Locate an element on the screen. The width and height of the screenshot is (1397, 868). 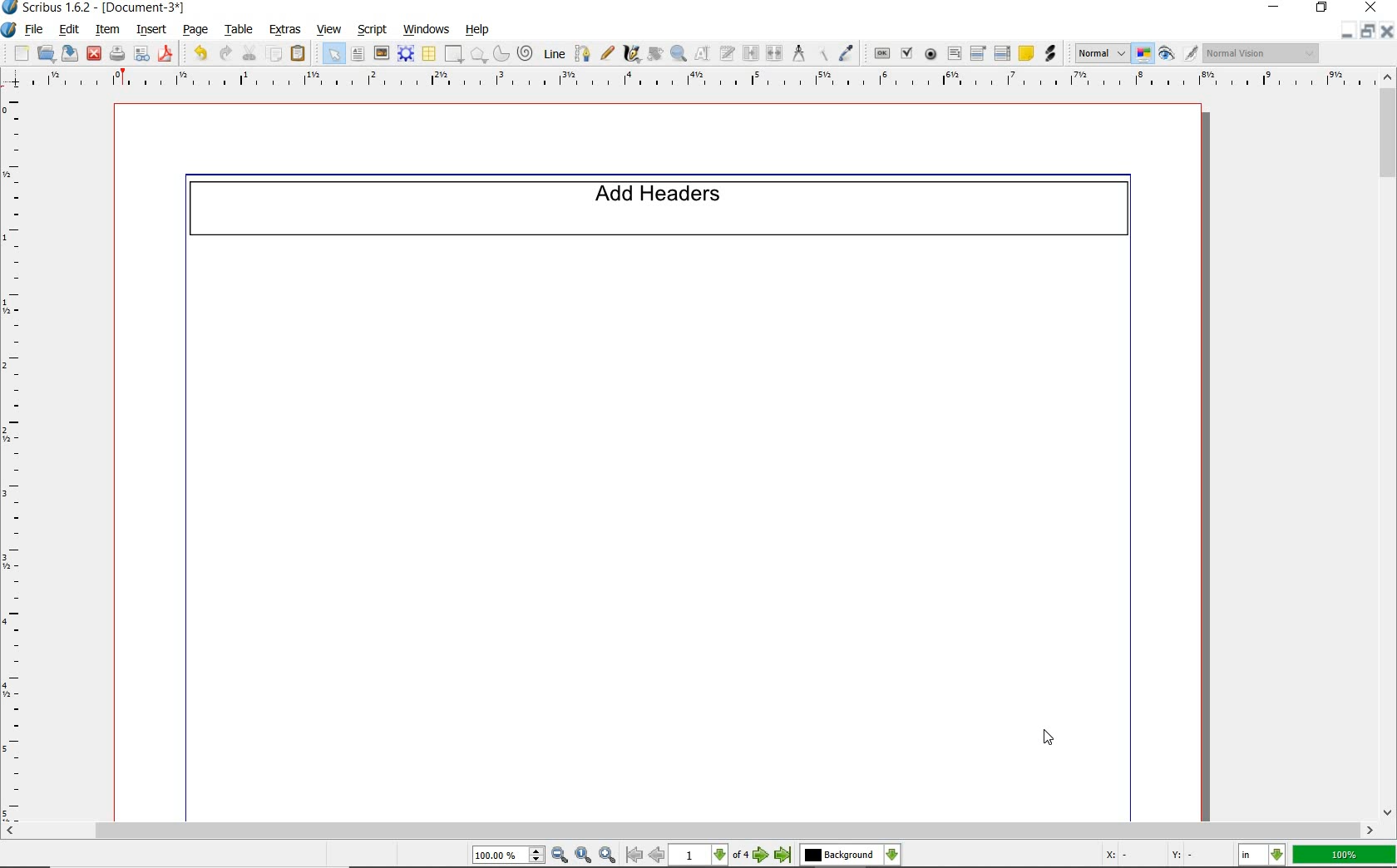
zoom out is located at coordinates (560, 856).